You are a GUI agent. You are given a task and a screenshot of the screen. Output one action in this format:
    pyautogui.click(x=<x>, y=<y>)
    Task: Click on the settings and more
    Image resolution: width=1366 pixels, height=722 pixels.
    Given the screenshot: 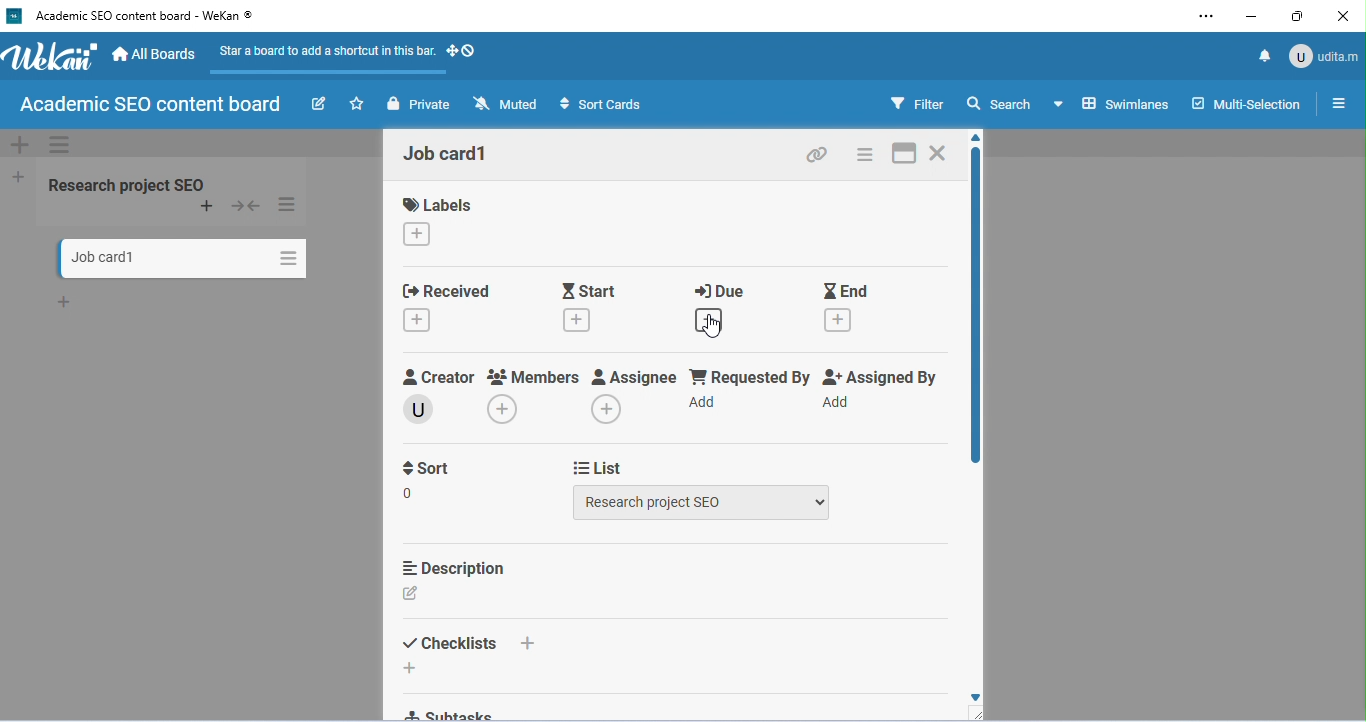 What is the action you would take?
    pyautogui.click(x=1211, y=16)
    